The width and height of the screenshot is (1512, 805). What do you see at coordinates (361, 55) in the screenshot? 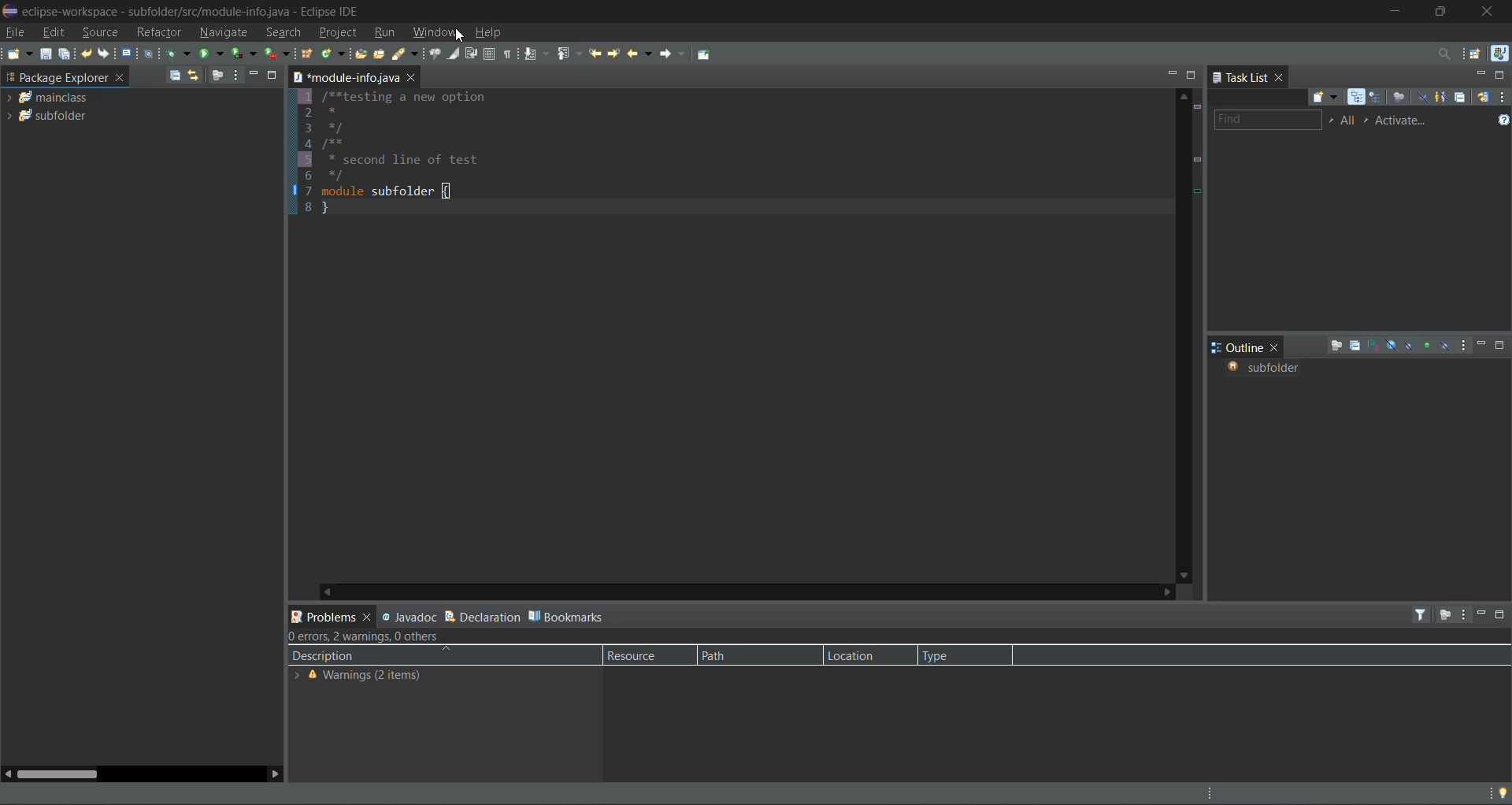
I see `open type` at bounding box center [361, 55].